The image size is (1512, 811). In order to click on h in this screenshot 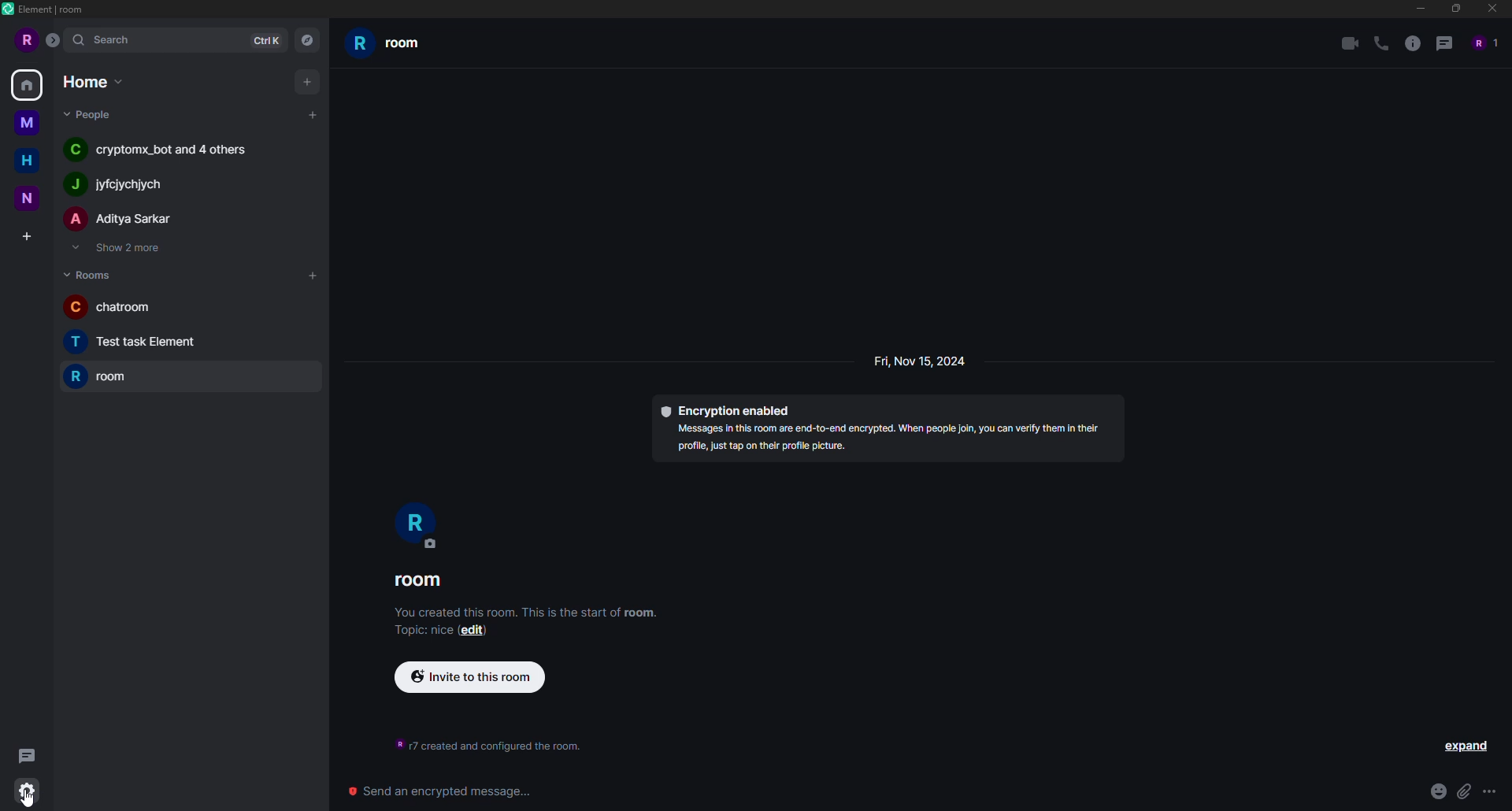, I will do `click(27, 158)`.